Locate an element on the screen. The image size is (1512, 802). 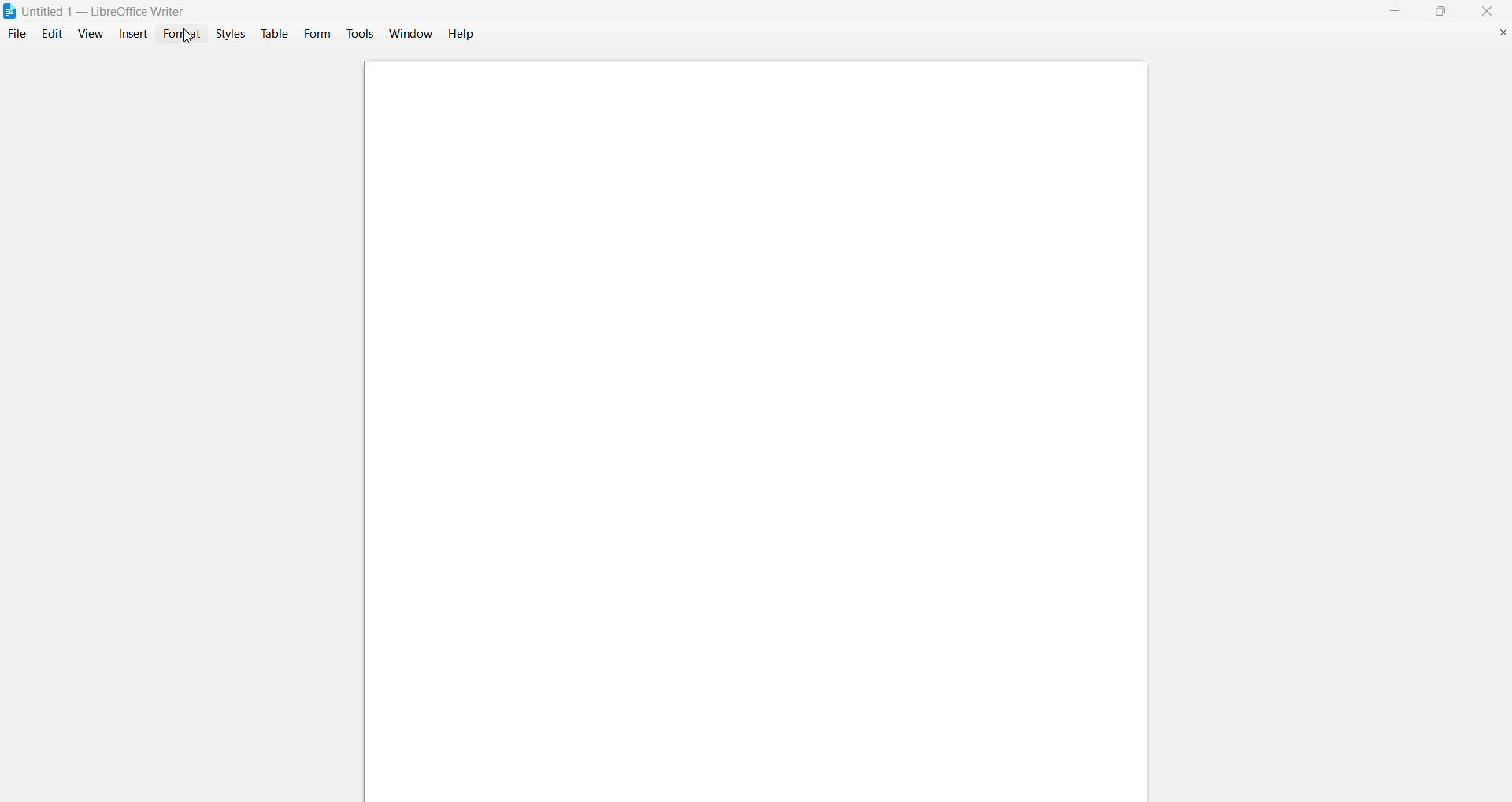
form is located at coordinates (318, 32).